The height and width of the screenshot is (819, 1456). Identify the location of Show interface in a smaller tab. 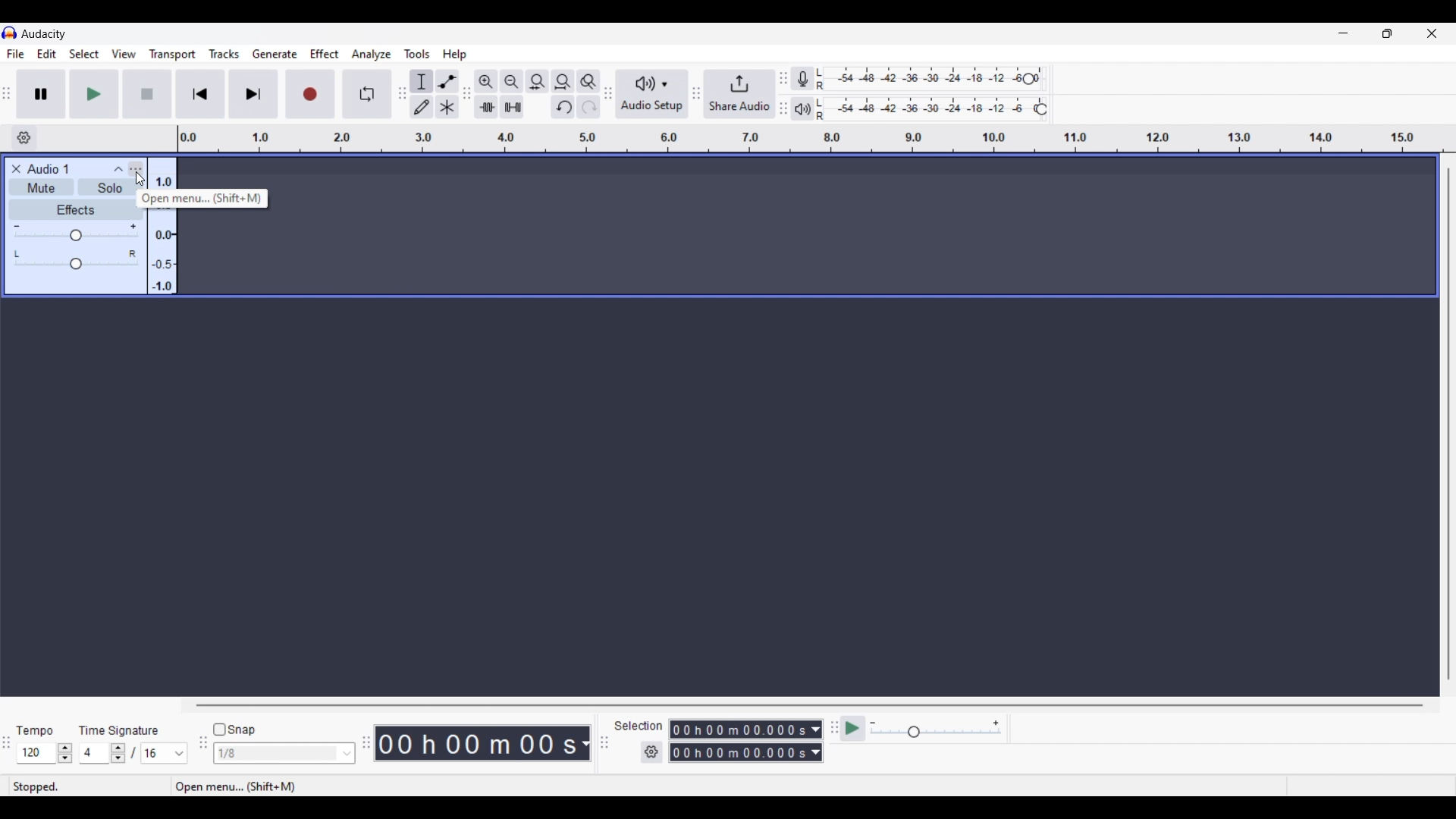
(1387, 33).